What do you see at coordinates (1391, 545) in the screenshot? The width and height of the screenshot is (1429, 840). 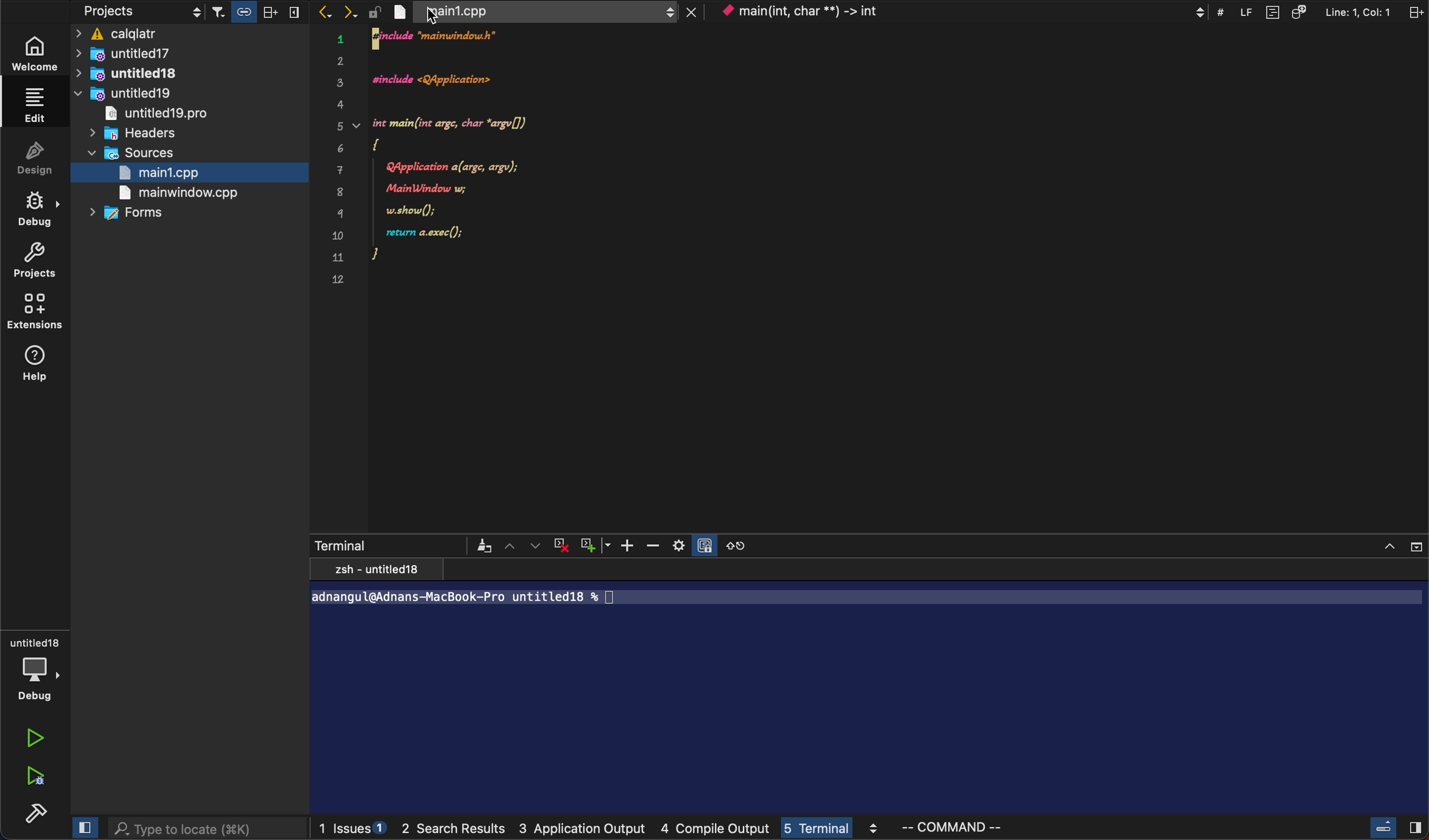 I see `close` at bounding box center [1391, 545].